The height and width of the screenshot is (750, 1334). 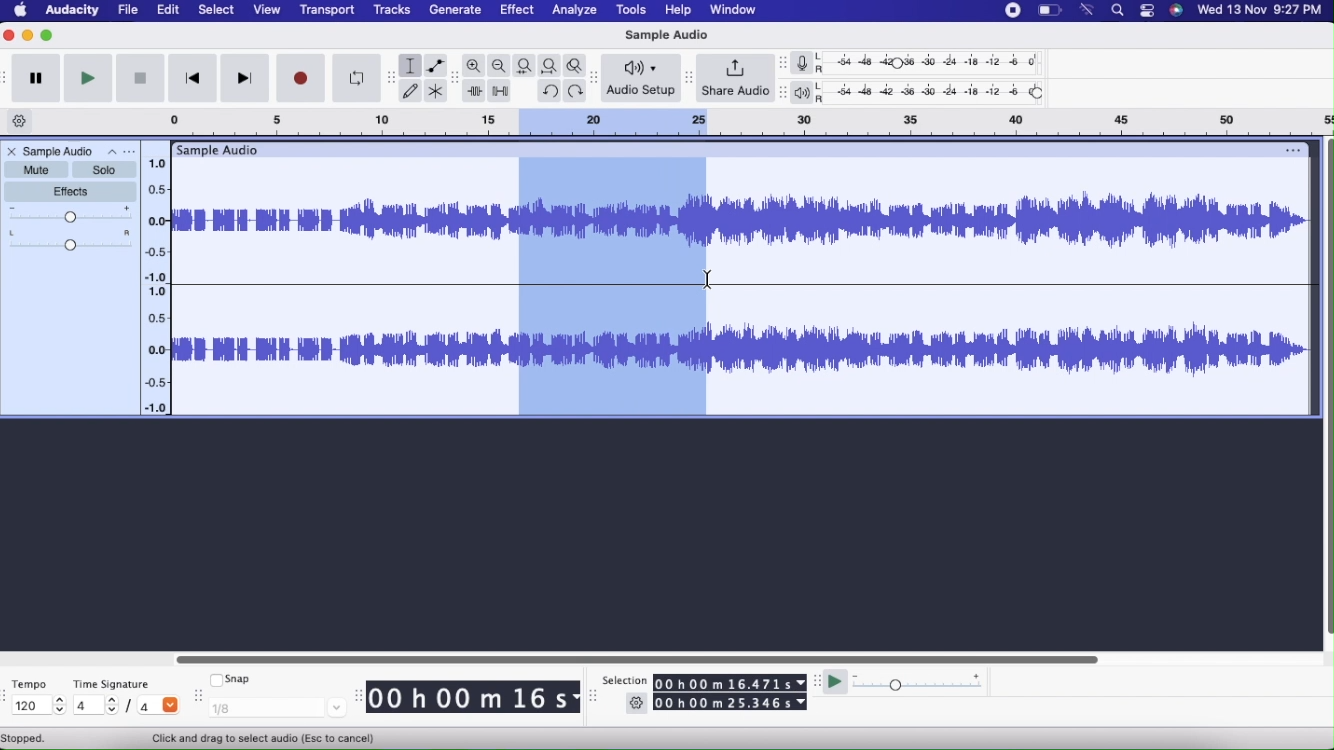 What do you see at coordinates (1290, 149) in the screenshot?
I see `options` at bounding box center [1290, 149].